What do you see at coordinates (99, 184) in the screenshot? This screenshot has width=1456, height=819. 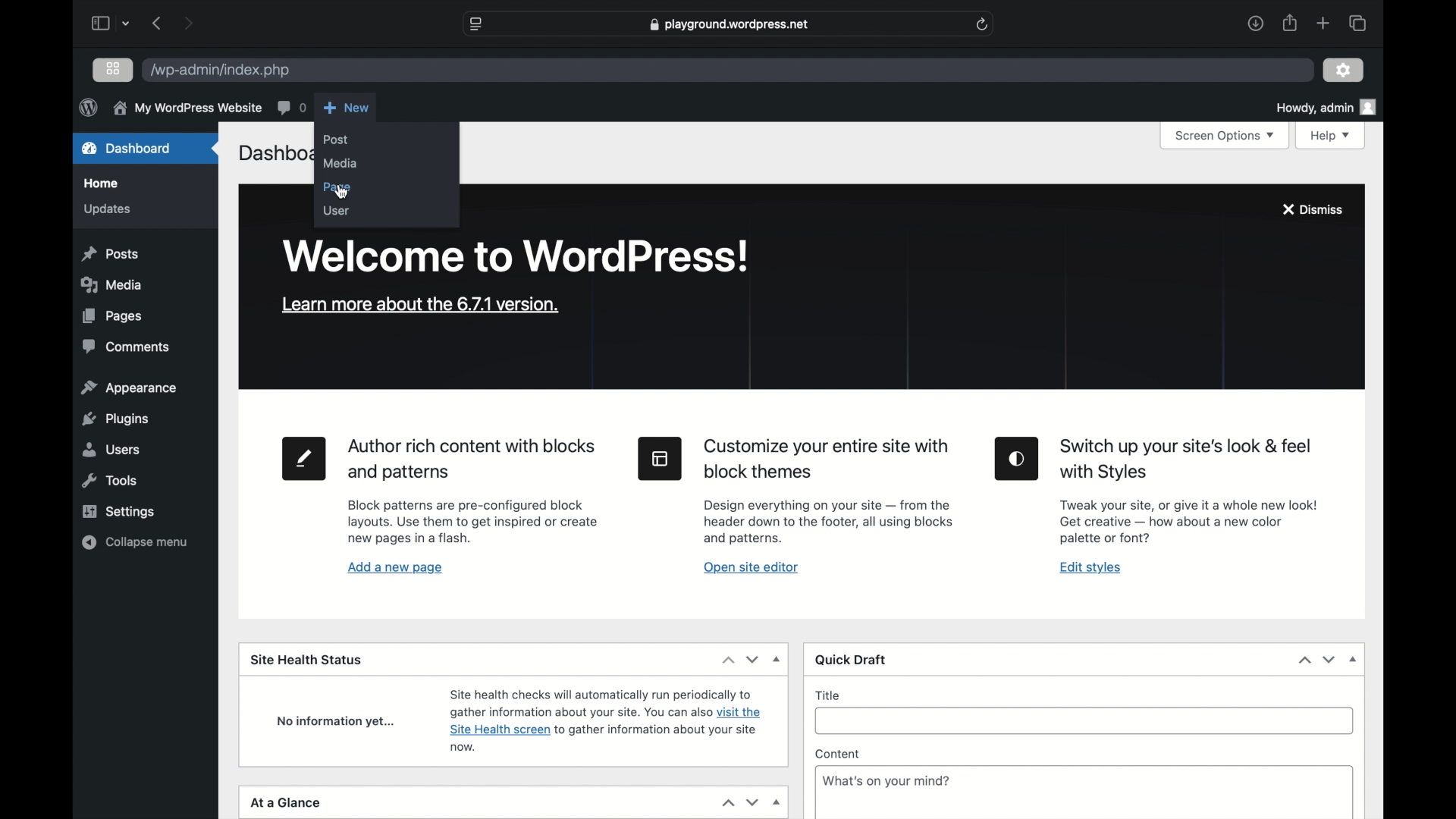 I see `home` at bounding box center [99, 184].